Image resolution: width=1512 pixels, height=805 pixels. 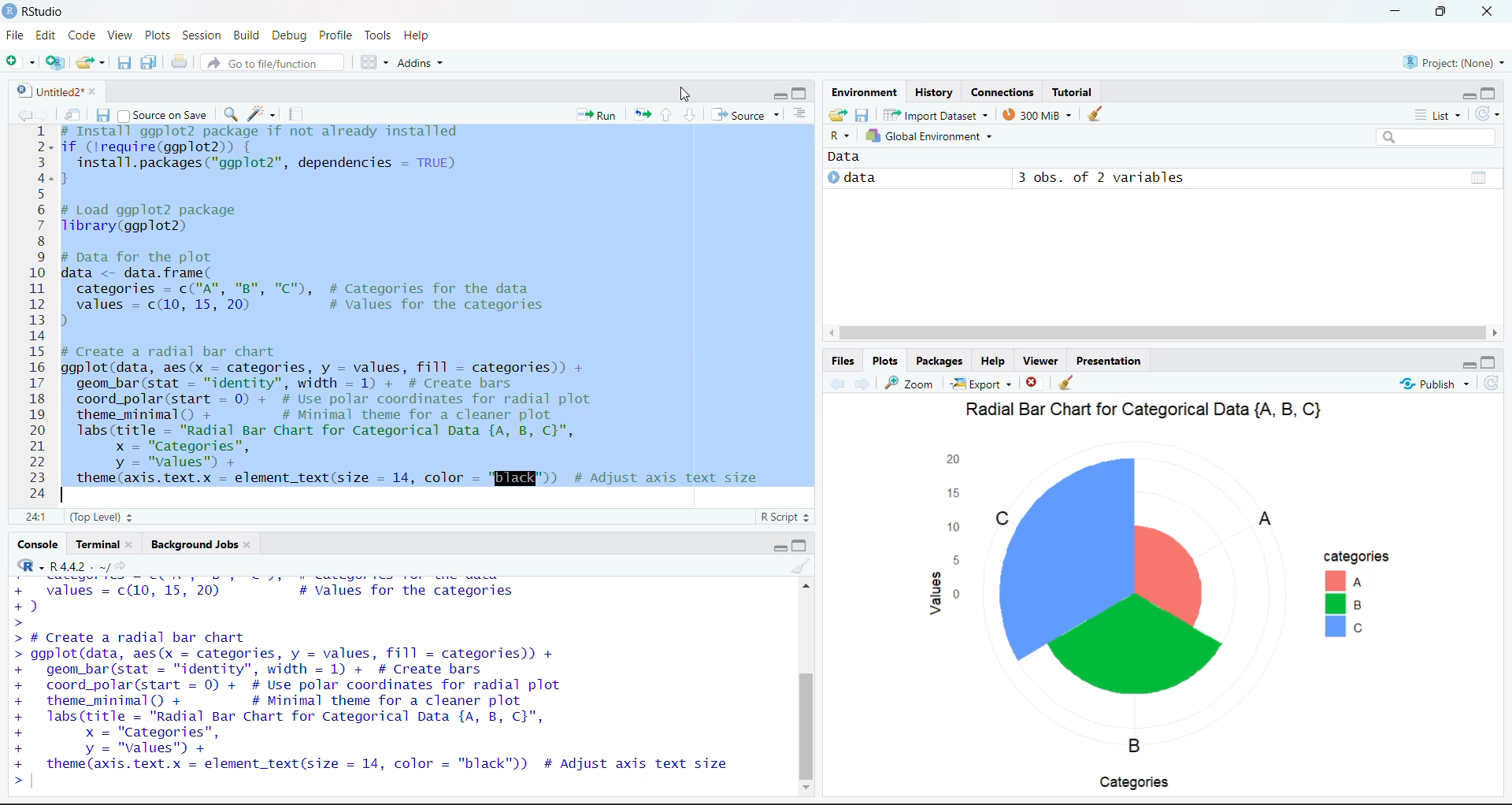 What do you see at coordinates (54, 63) in the screenshot?
I see `create new project` at bounding box center [54, 63].